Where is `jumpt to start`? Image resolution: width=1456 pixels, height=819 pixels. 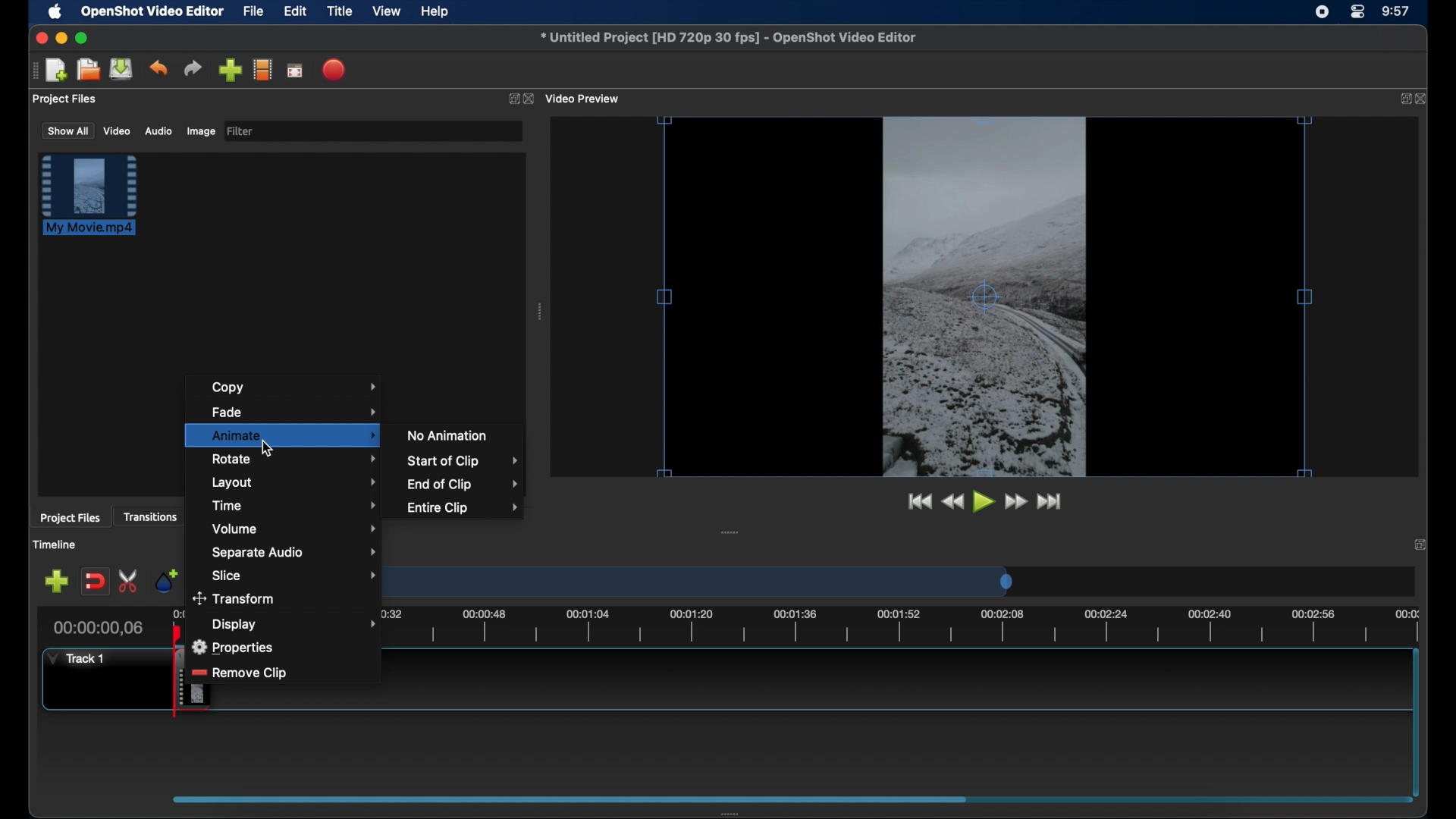
jumpt to start is located at coordinates (918, 501).